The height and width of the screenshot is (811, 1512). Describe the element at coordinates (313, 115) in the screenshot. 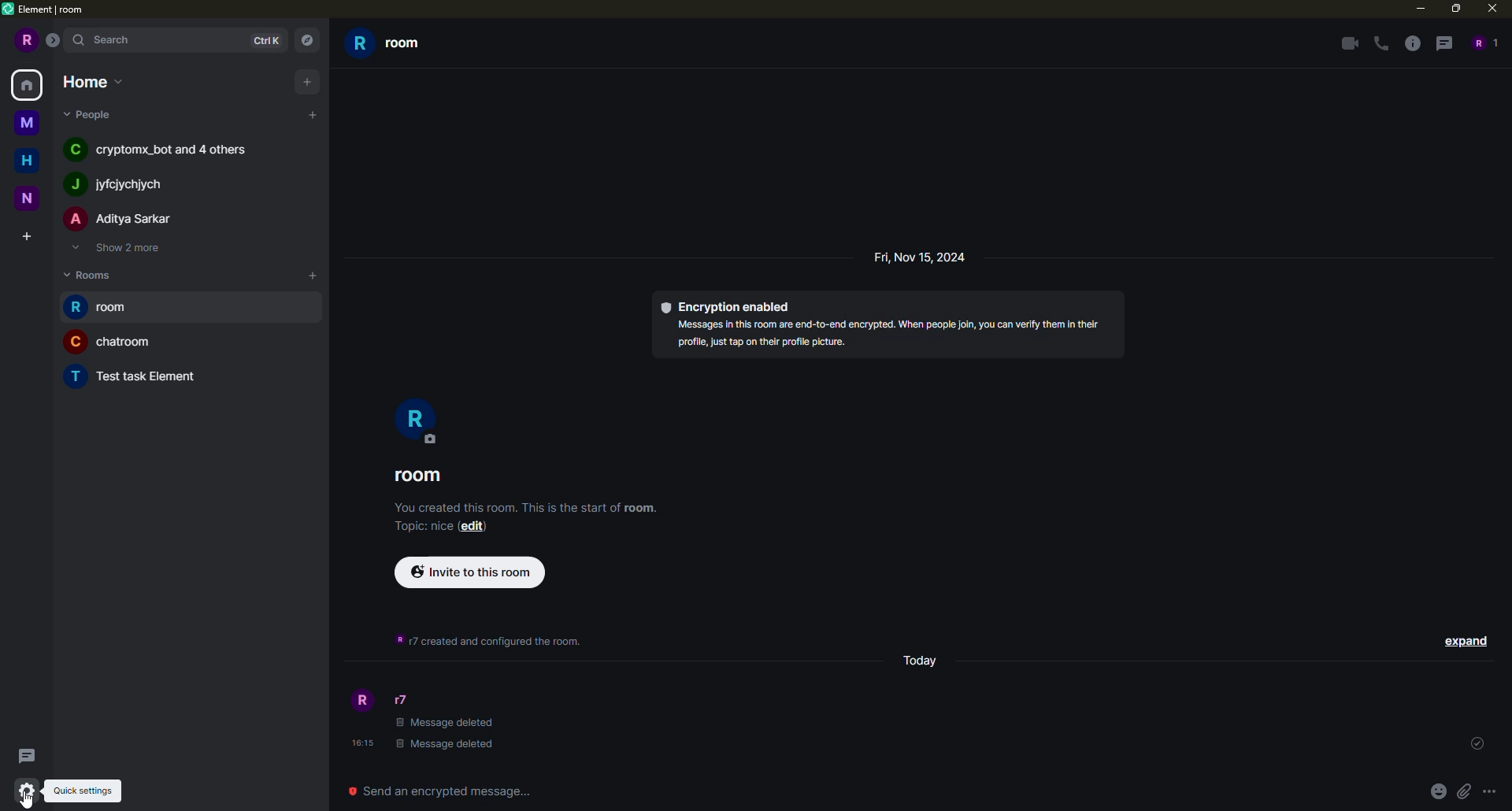

I see `add` at that location.